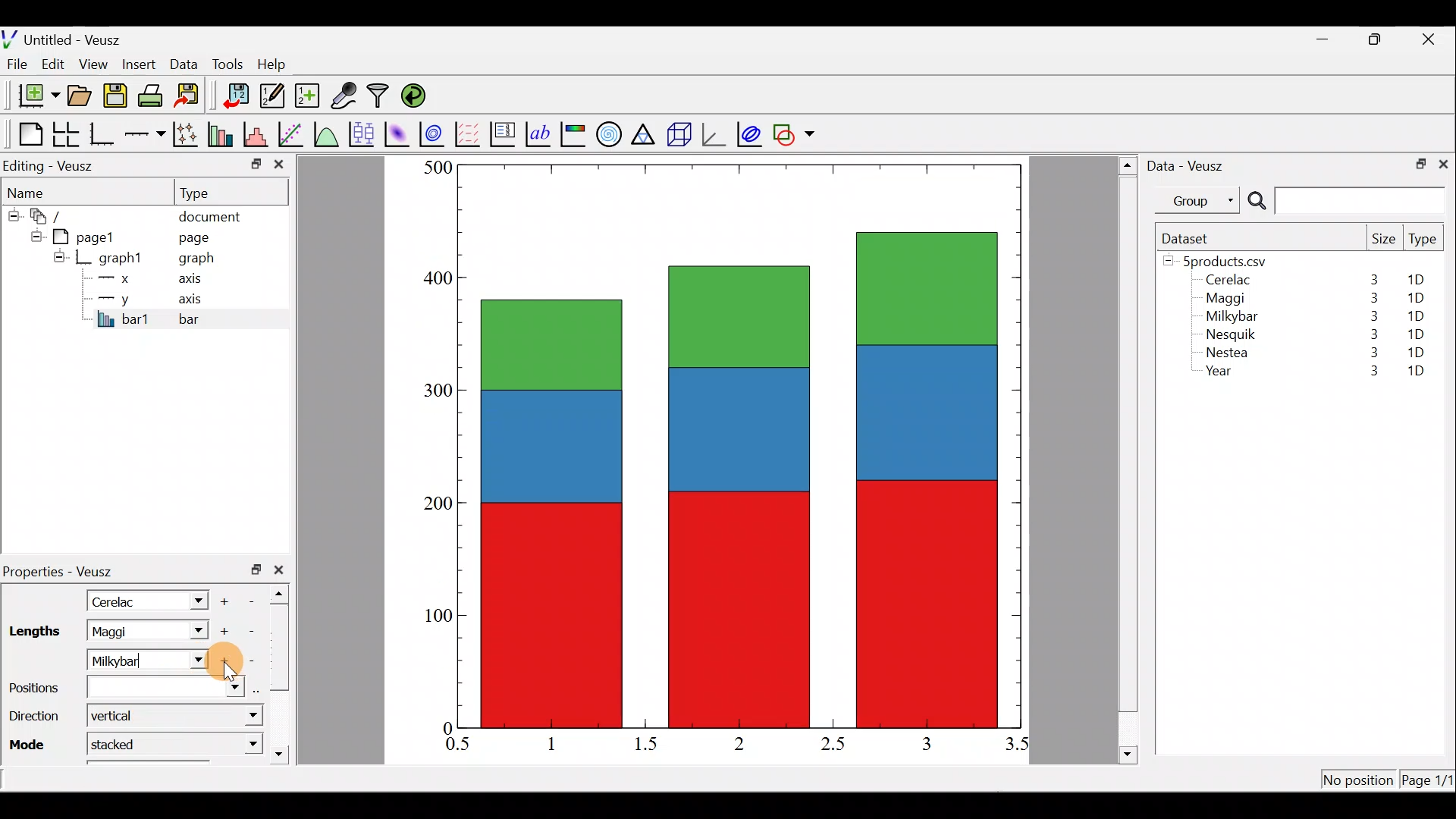 Image resolution: width=1456 pixels, height=819 pixels. I want to click on axis, so click(197, 300).